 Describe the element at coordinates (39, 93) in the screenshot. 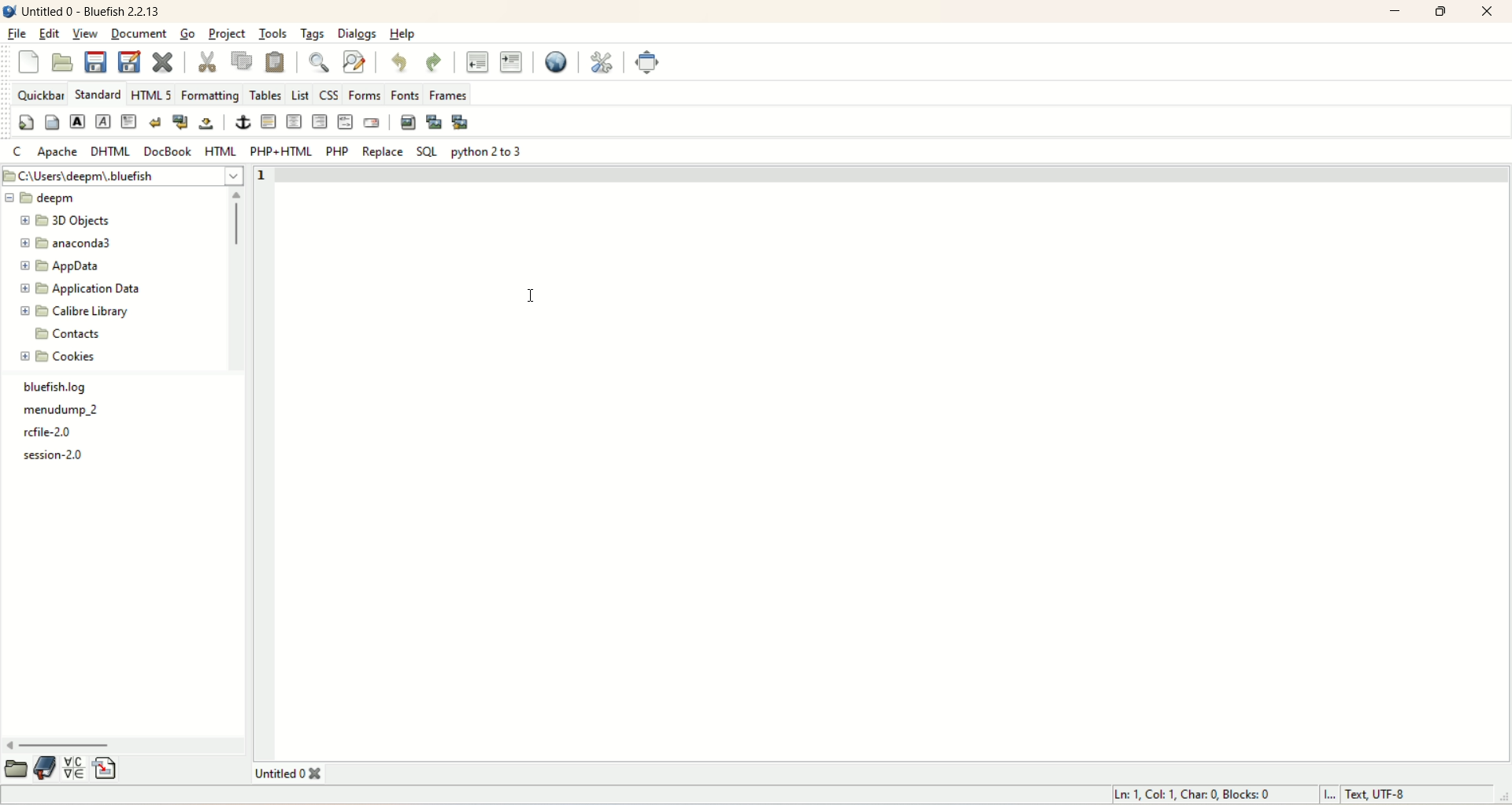

I see `quickbar` at that location.